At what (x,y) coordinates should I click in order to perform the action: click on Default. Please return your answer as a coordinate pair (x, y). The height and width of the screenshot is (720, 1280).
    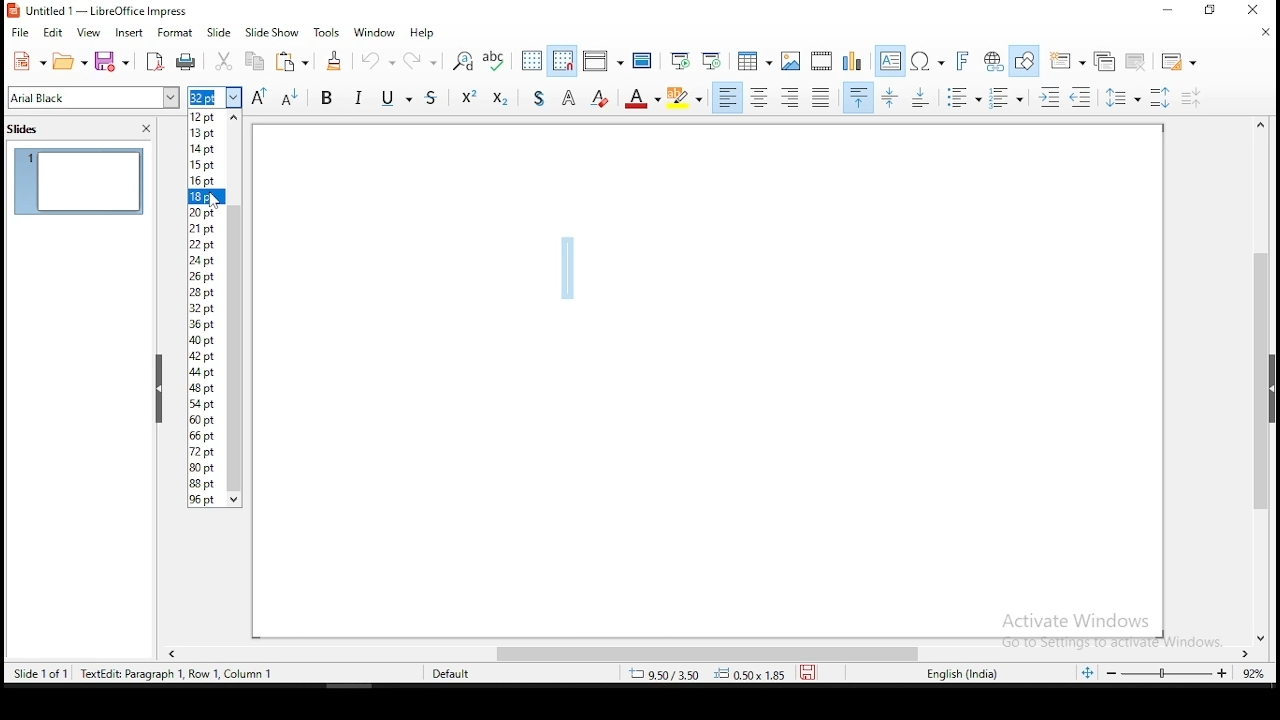
    Looking at the image, I should click on (460, 672).